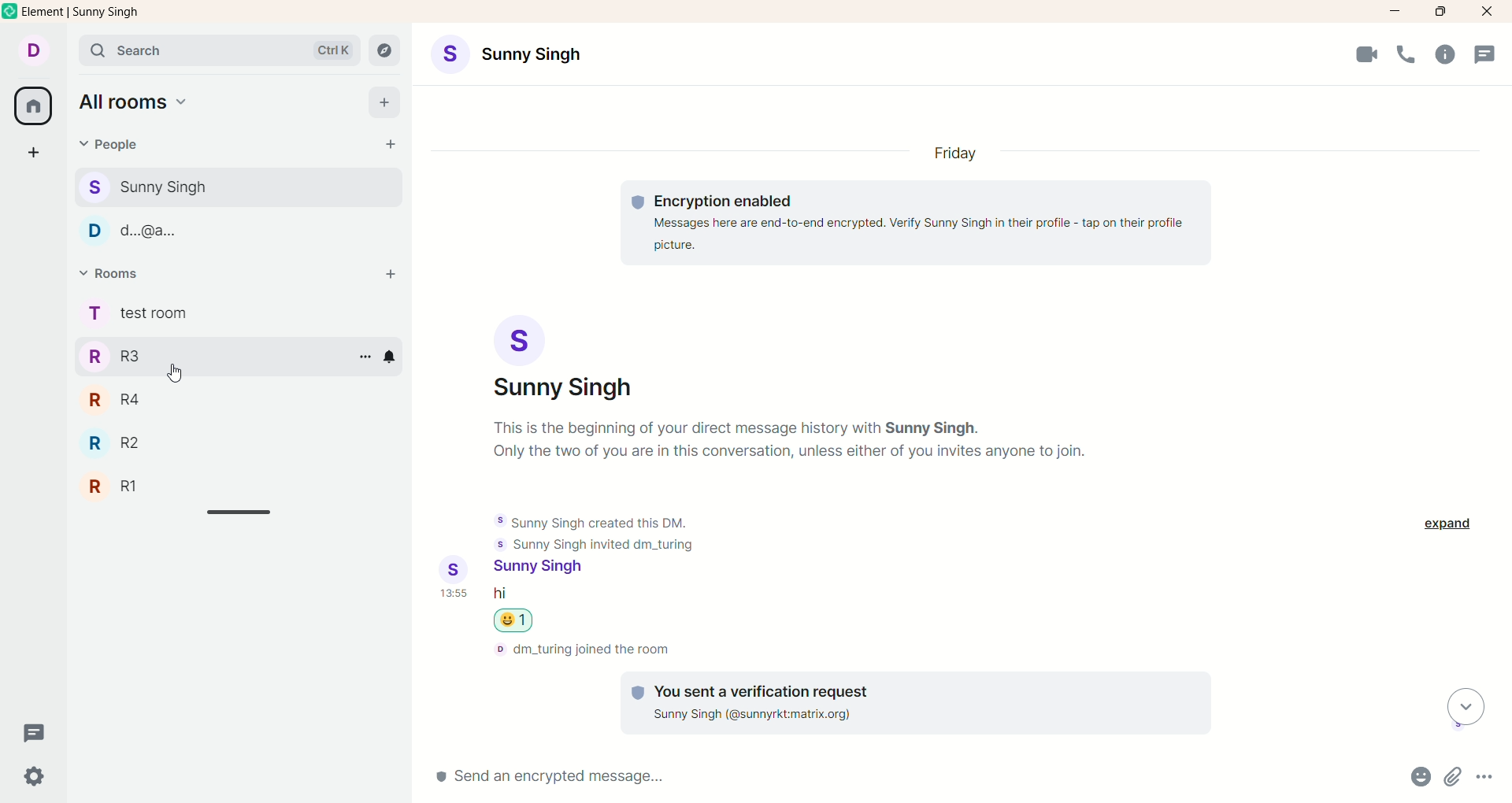 The width and height of the screenshot is (1512, 803). Describe the element at coordinates (905, 702) in the screenshot. I see `text` at that location.